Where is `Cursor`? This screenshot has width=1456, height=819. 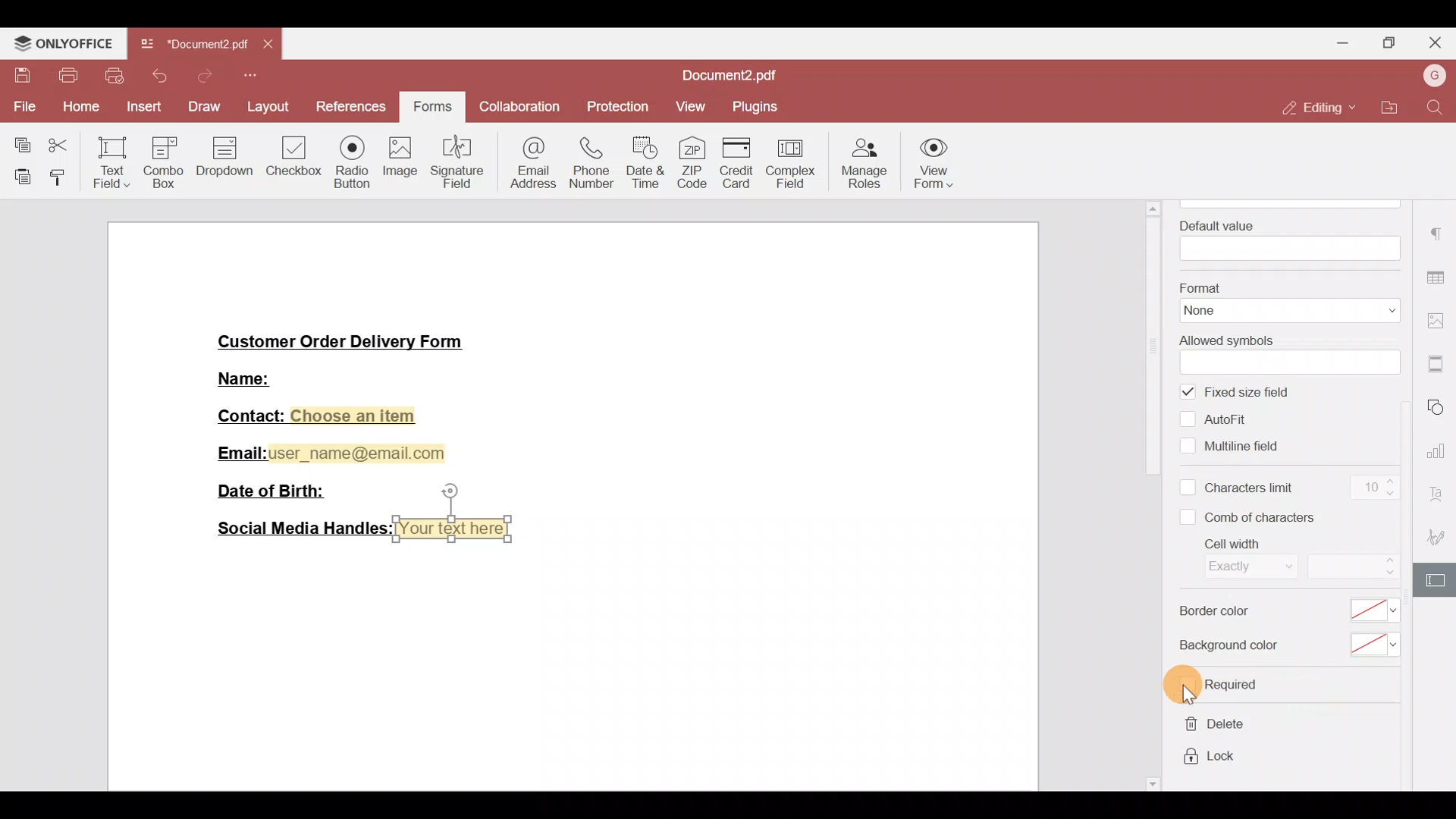 Cursor is located at coordinates (1195, 686).